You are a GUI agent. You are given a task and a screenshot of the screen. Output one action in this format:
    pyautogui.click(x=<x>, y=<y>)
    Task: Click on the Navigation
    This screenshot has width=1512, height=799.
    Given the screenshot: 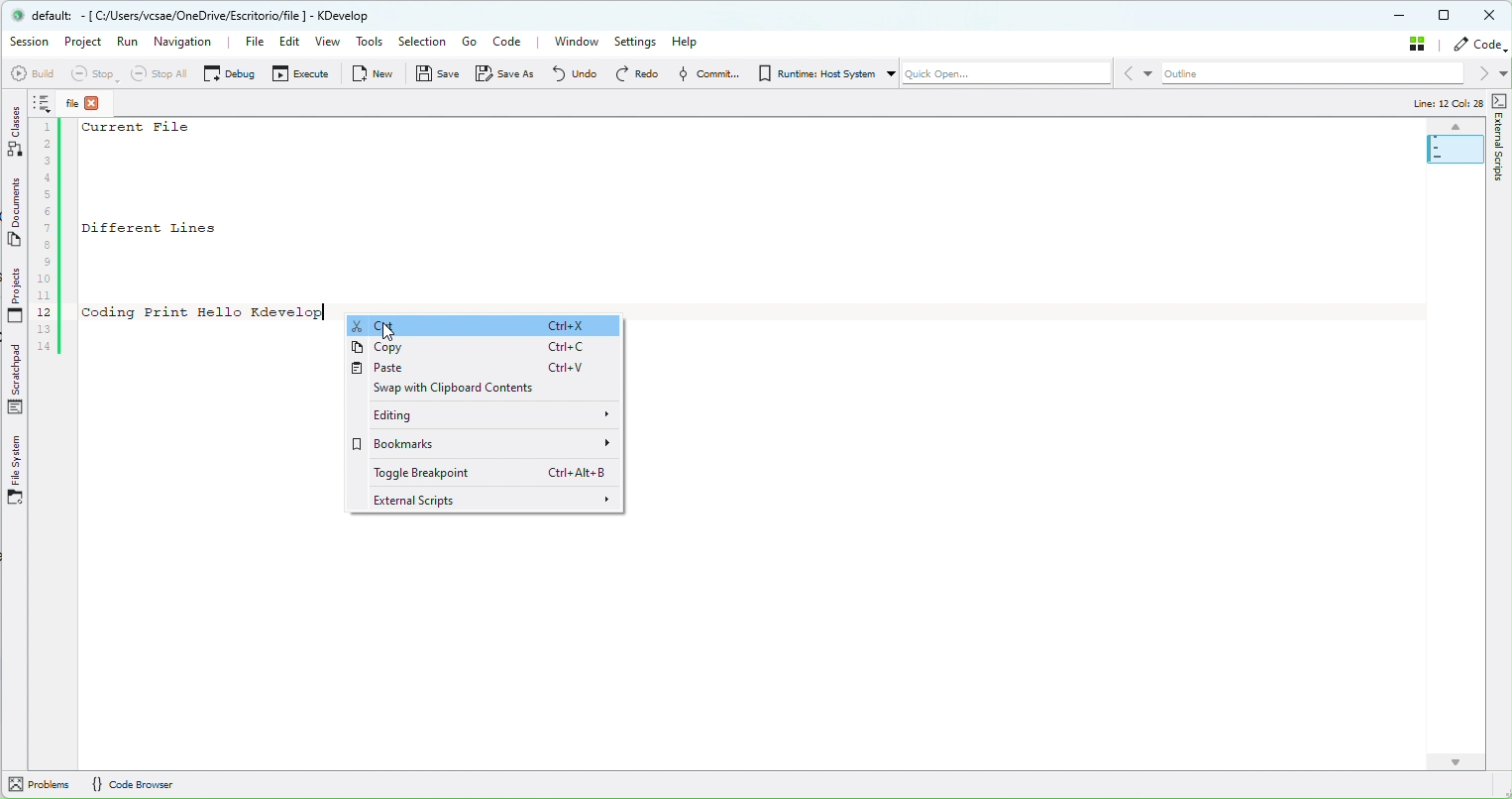 What is the action you would take?
    pyautogui.click(x=187, y=40)
    